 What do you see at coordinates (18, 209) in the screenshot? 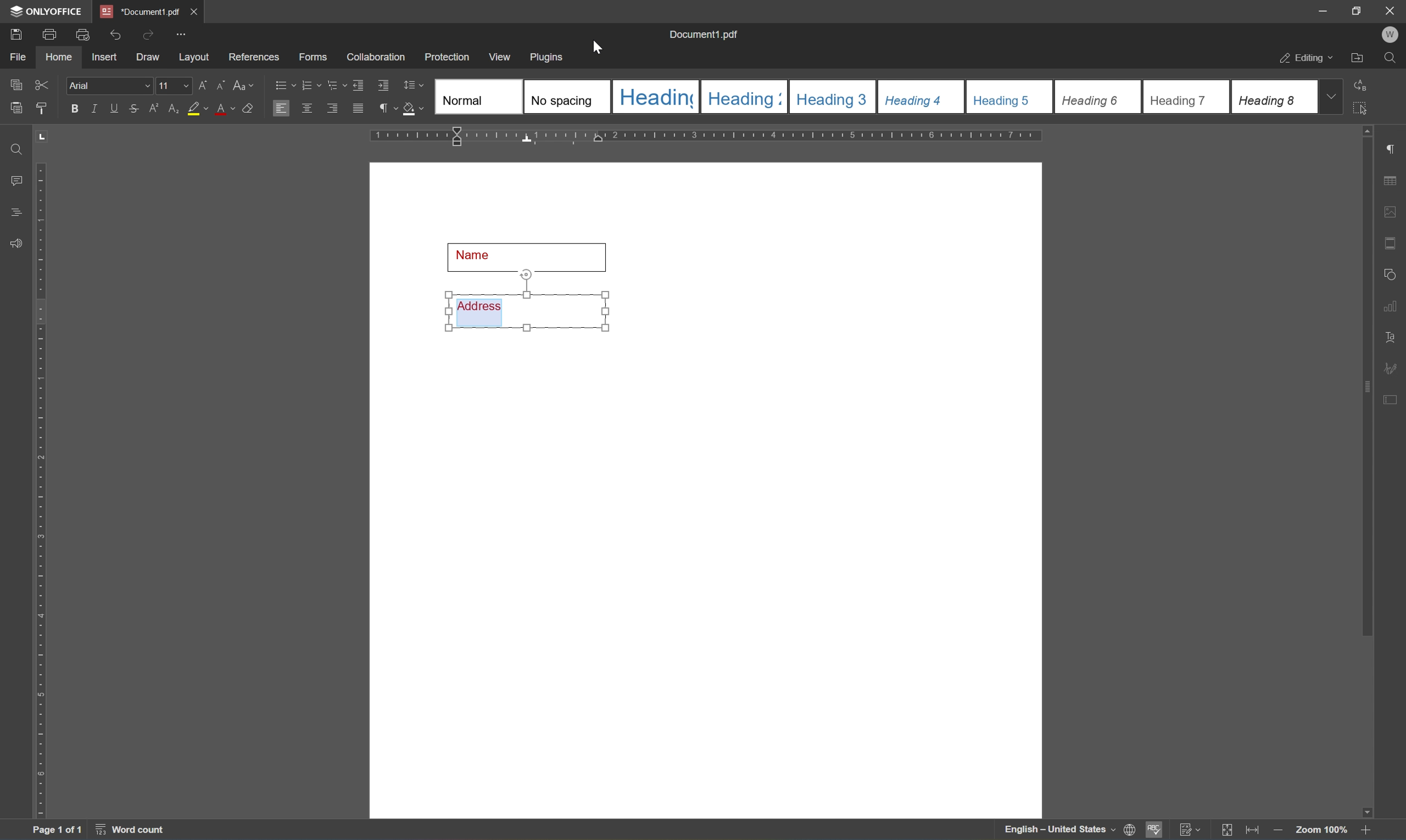
I see `headings` at bounding box center [18, 209].